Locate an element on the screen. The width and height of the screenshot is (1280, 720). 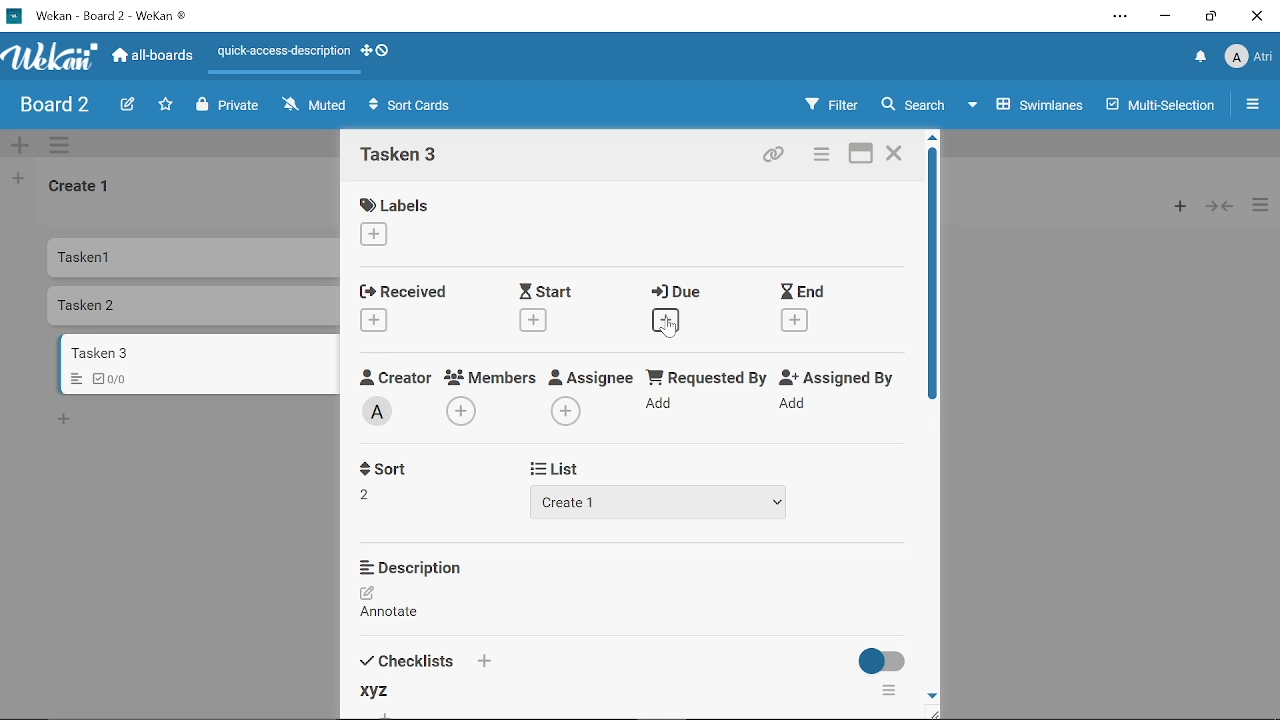
Copy link of this card to clipboard is located at coordinates (774, 156).